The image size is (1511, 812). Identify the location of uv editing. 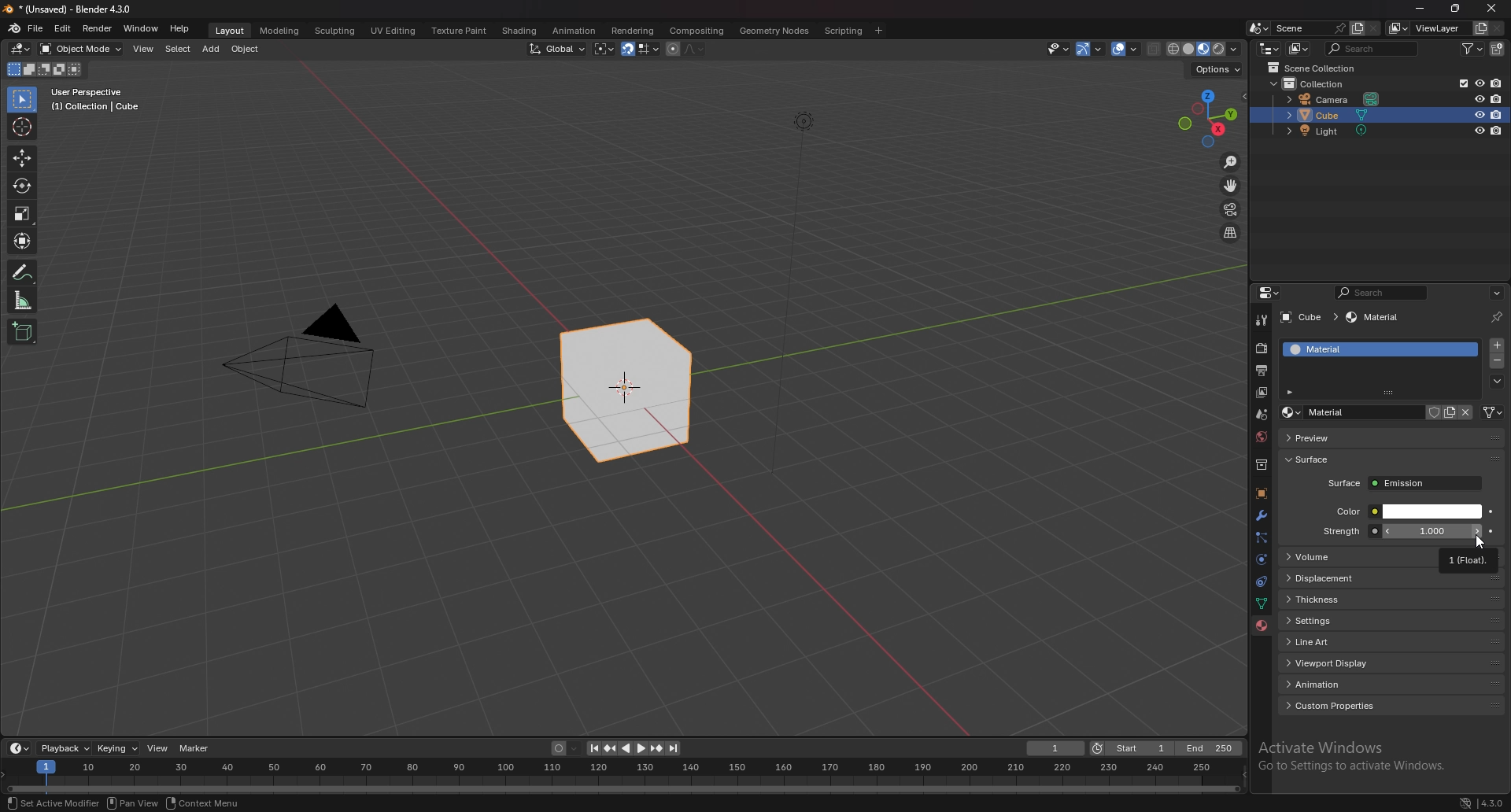
(392, 30).